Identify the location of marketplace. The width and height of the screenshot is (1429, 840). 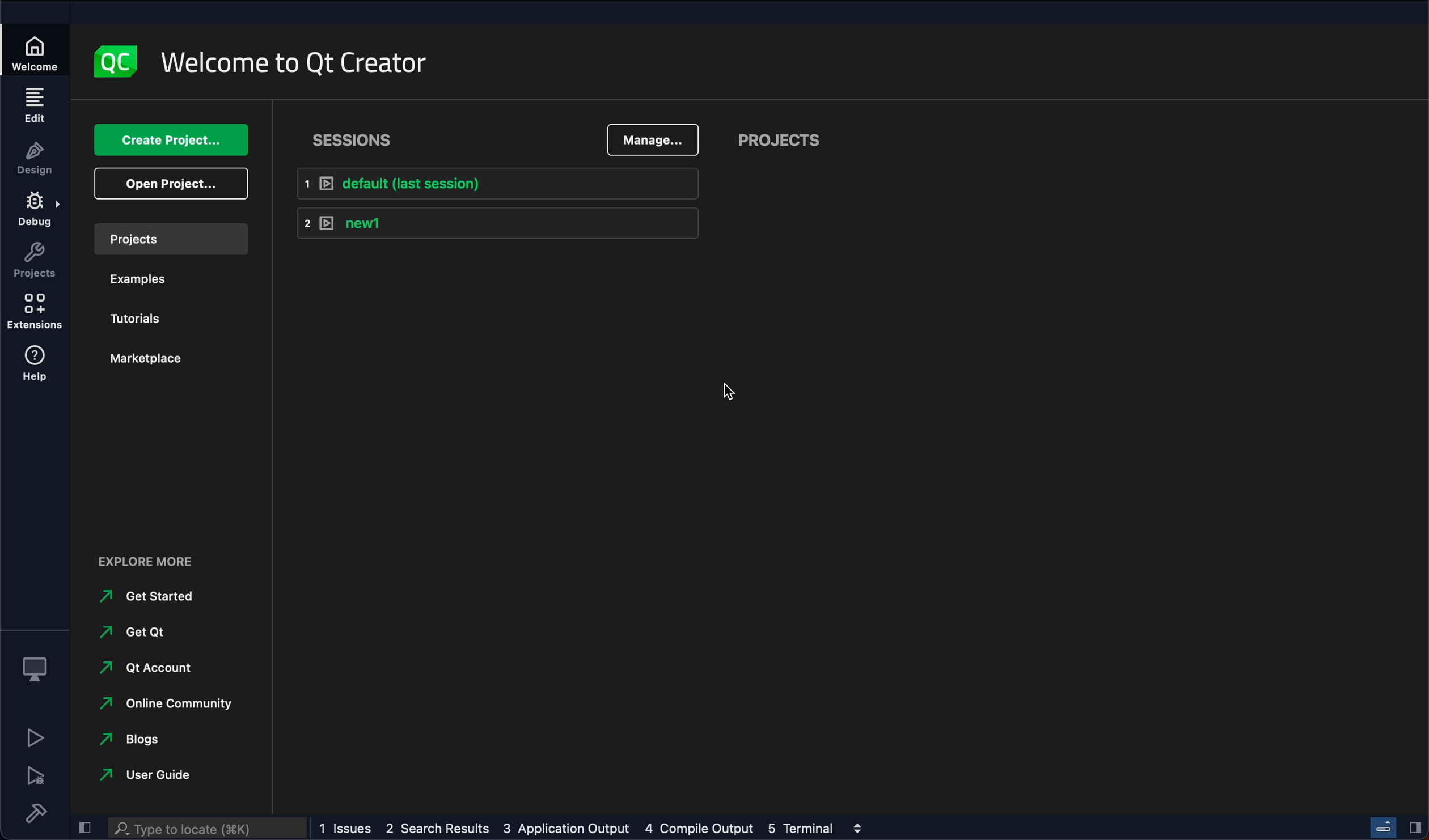
(146, 360).